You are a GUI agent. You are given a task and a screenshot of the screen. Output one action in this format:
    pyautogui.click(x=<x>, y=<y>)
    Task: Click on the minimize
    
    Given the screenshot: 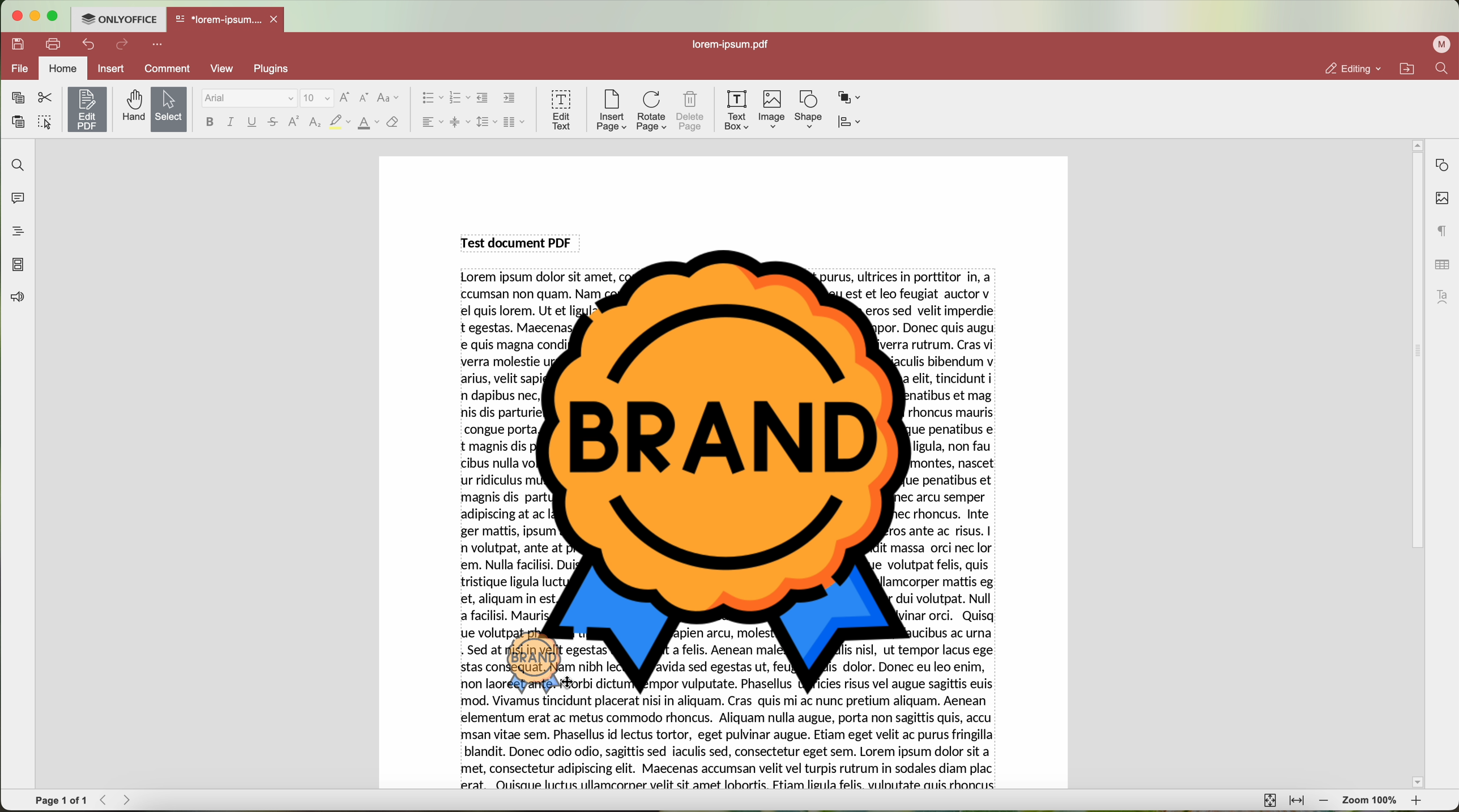 What is the action you would take?
    pyautogui.click(x=34, y=16)
    